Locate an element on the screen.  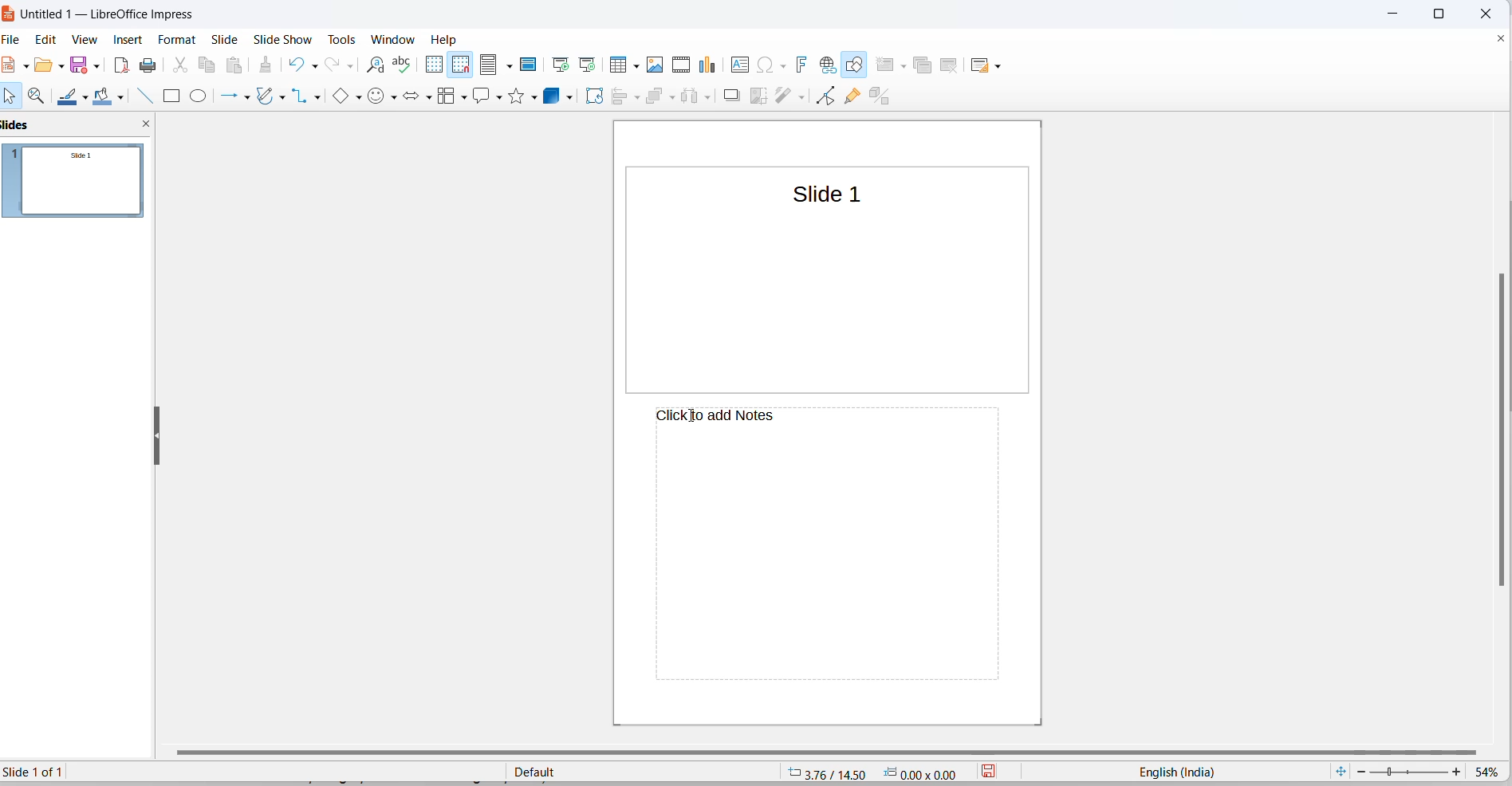
table grid is located at coordinates (635, 68).